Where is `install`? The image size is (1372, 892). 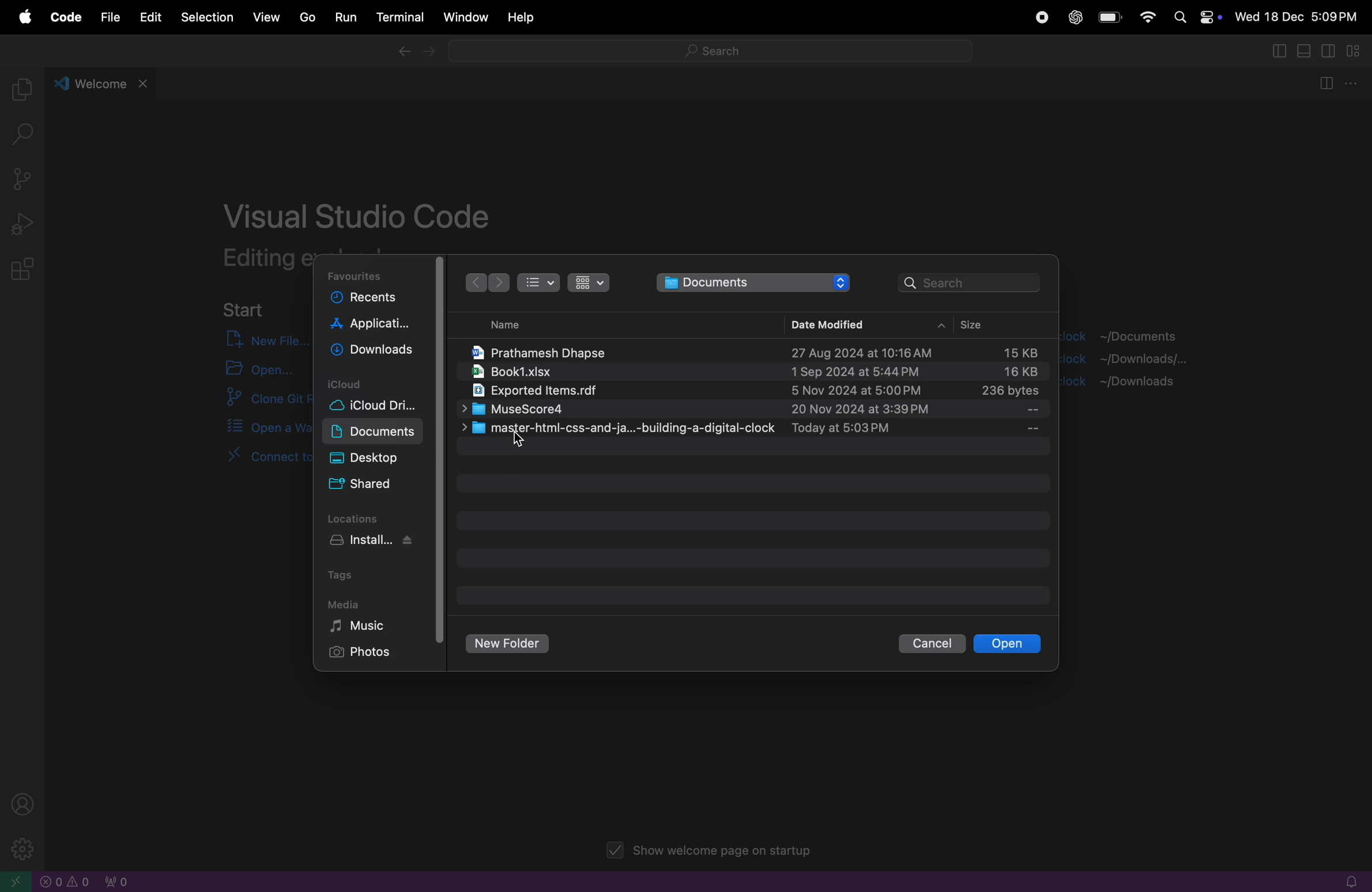 install is located at coordinates (380, 542).